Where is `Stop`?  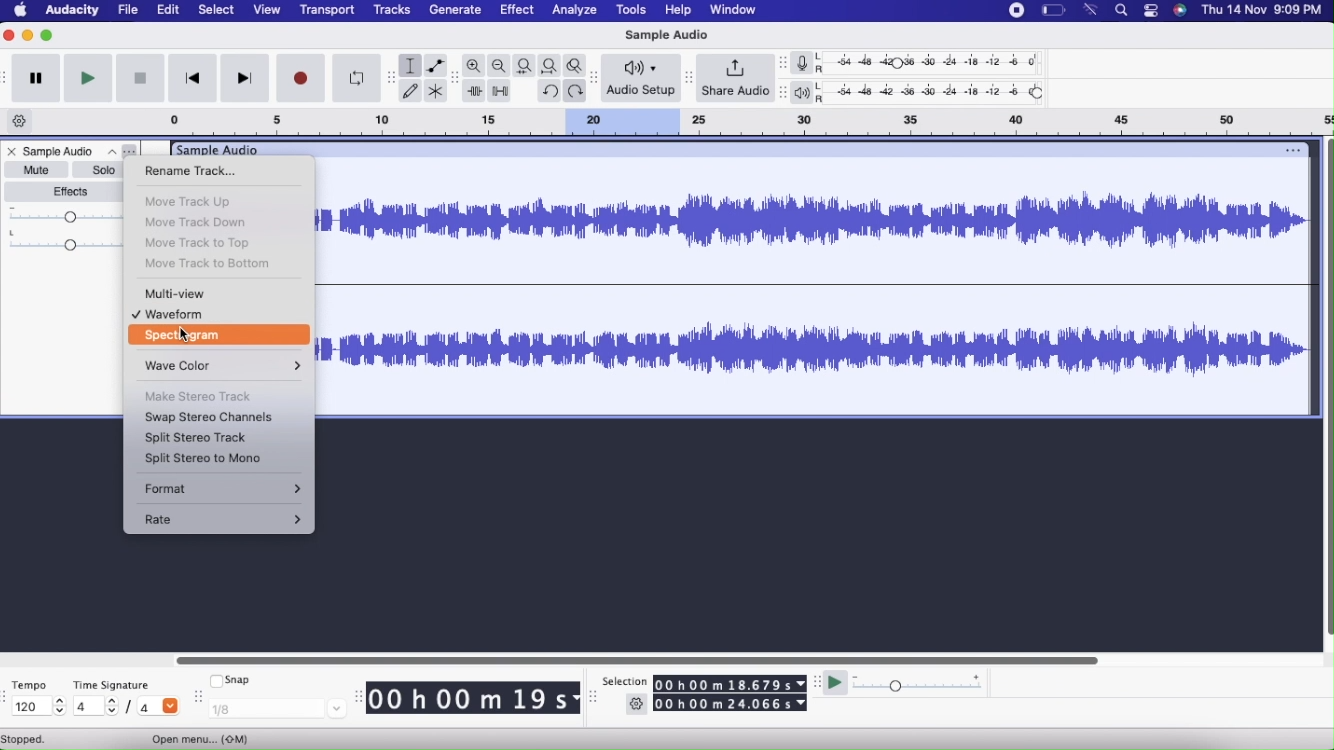 Stop is located at coordinates (140, 78).